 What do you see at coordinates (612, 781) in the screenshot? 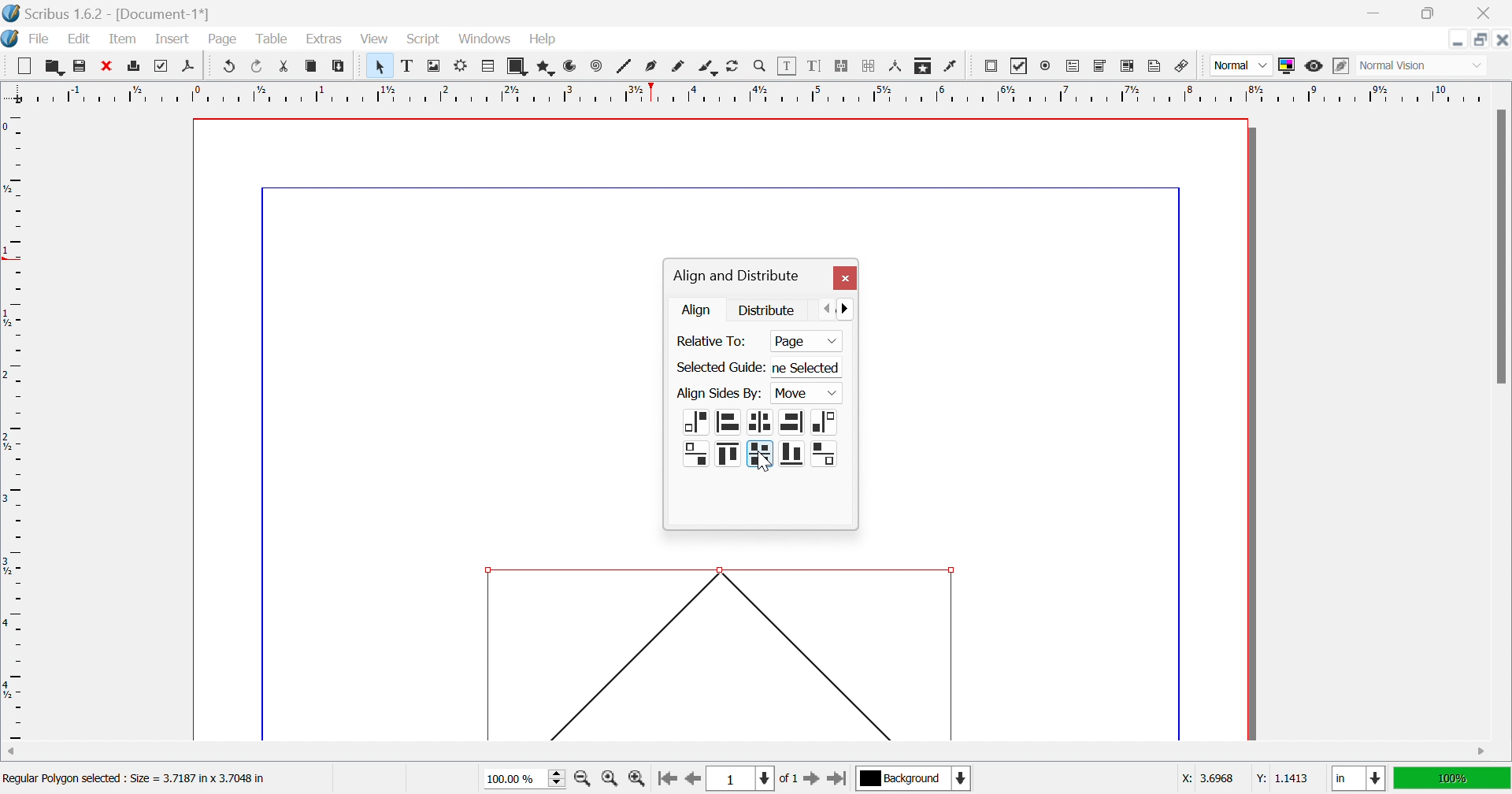
I see `Zoom to 100%` at bounding box center [612, 781].